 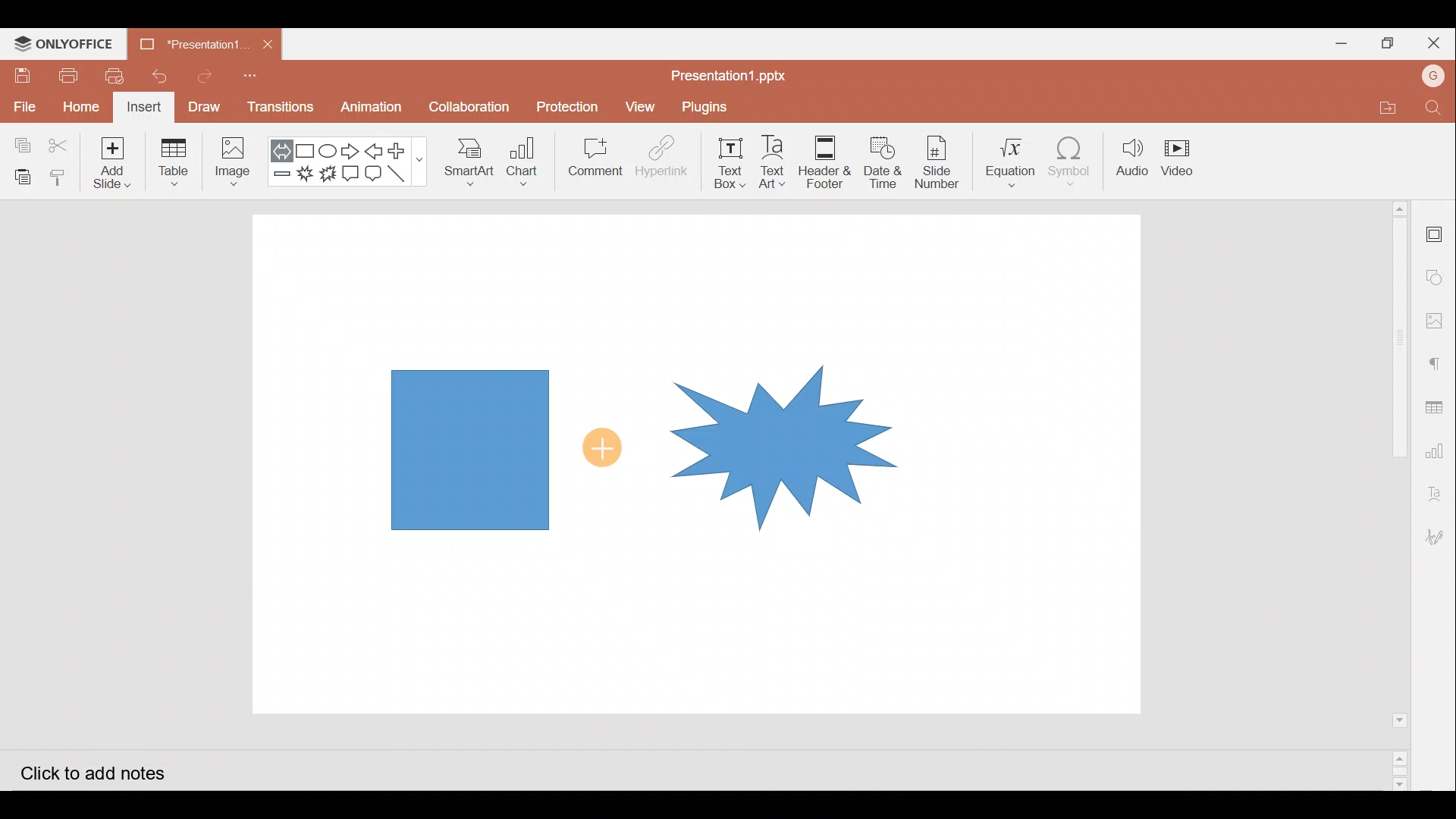 I want to click on Right arrow, so click(x=352, y=149).